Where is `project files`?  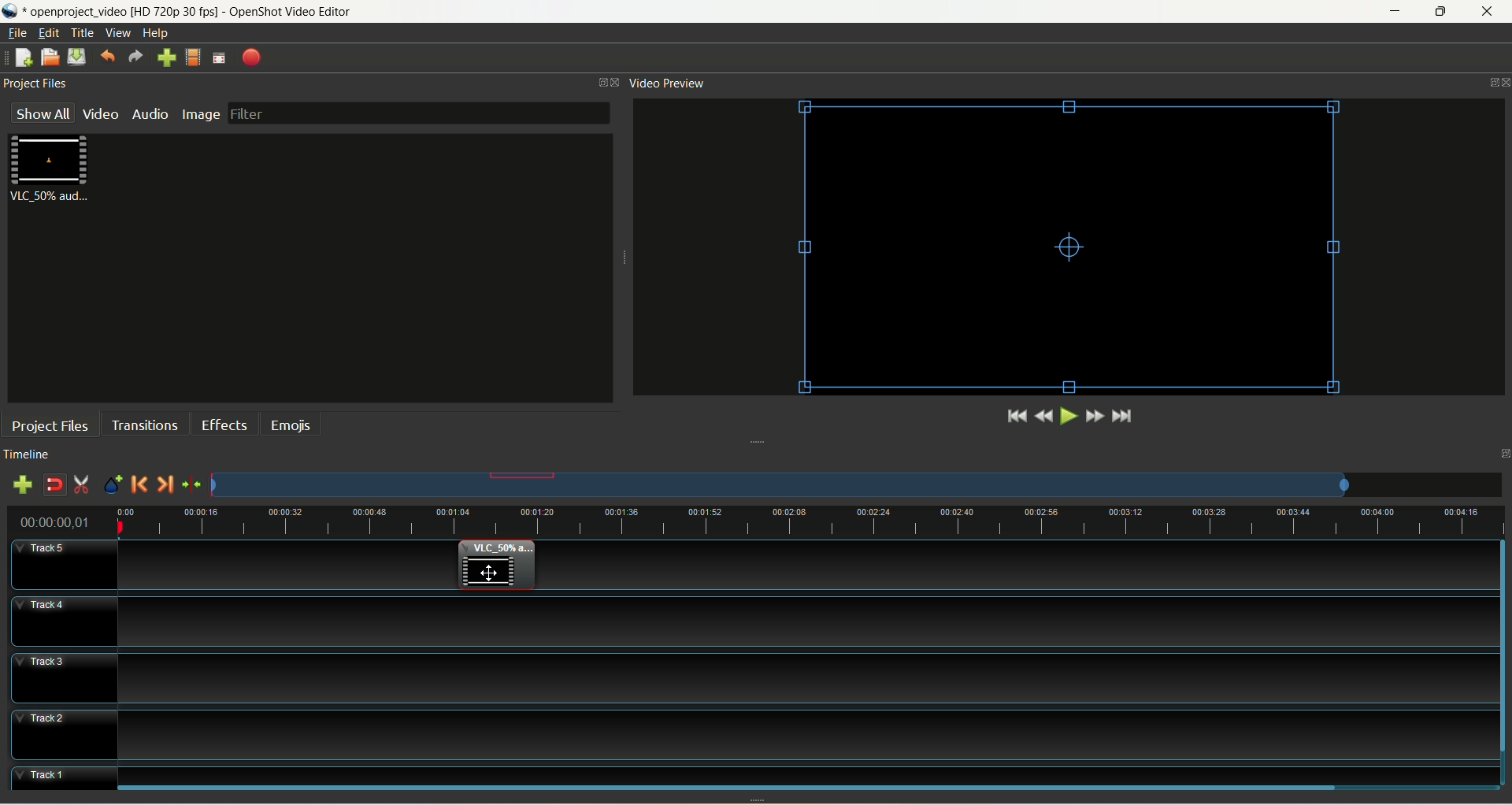
project files is located at coordinates (50, 425).